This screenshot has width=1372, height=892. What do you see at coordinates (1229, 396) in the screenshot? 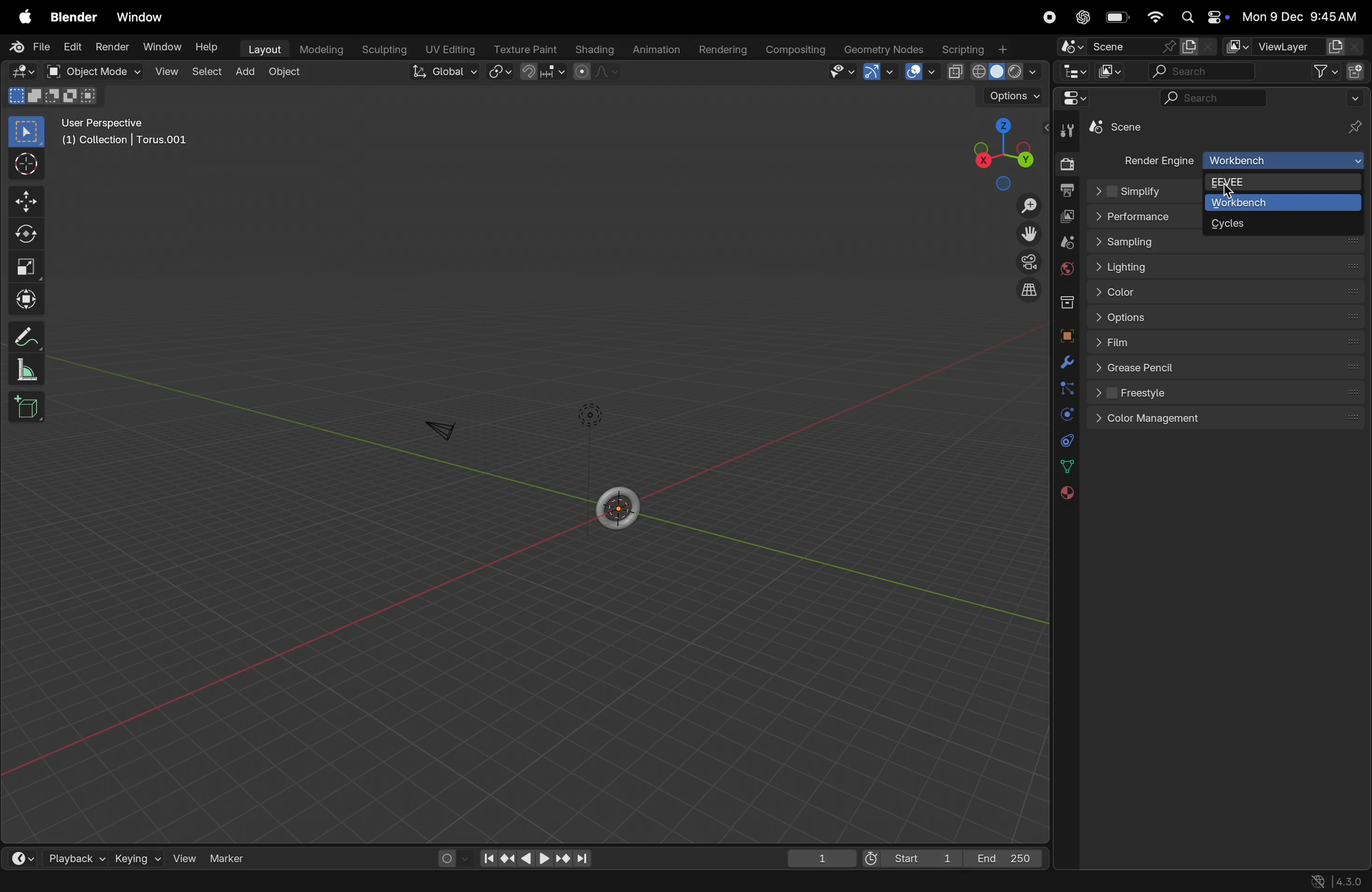
I see `freestyle` at bounding box center [1229, 396].